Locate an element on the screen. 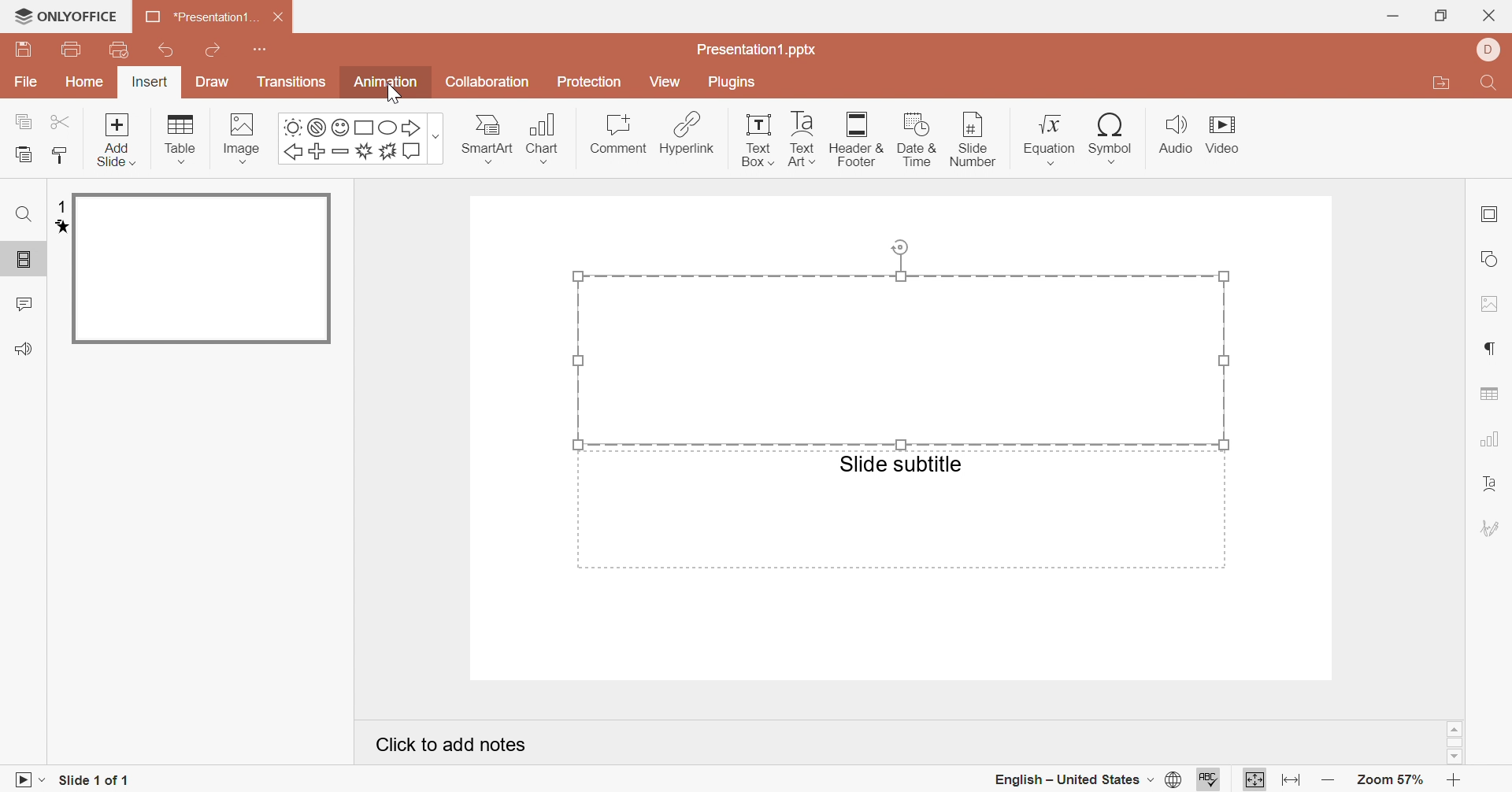  signature settings is located at coordinates (1491, 527).